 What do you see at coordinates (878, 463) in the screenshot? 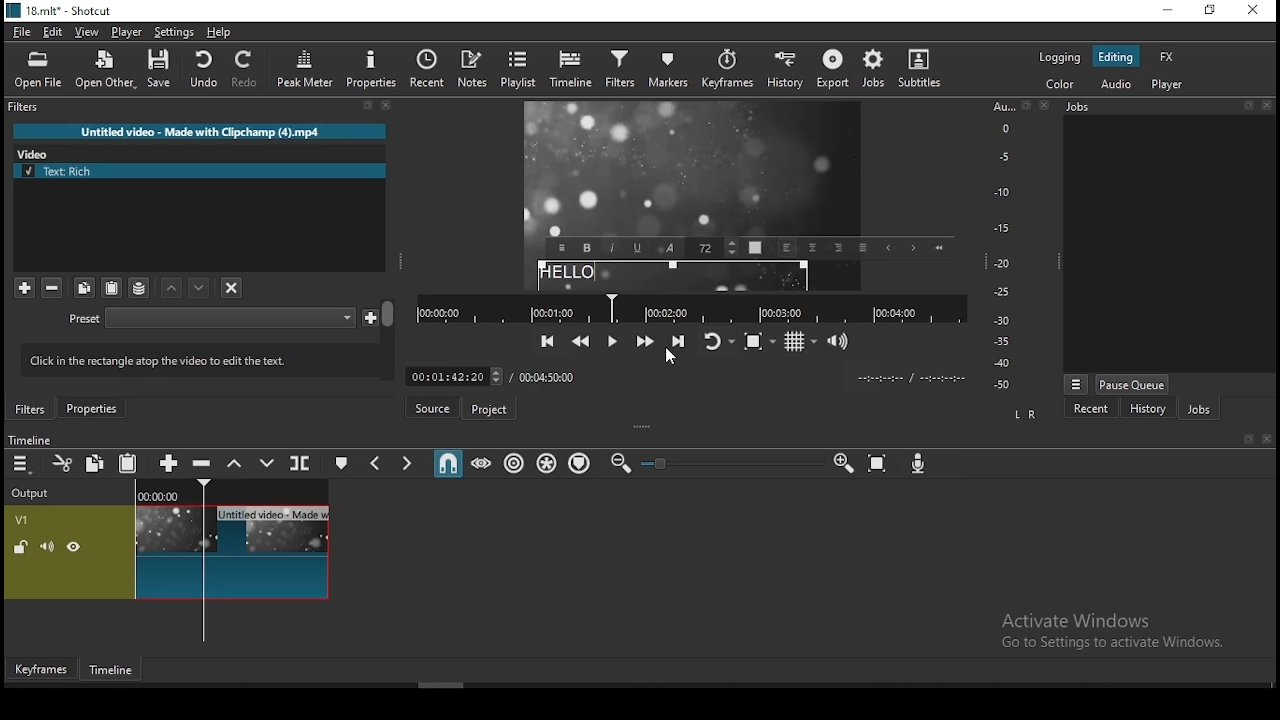
I see `zoom timeline to fit` at bounding box center [878, 463].